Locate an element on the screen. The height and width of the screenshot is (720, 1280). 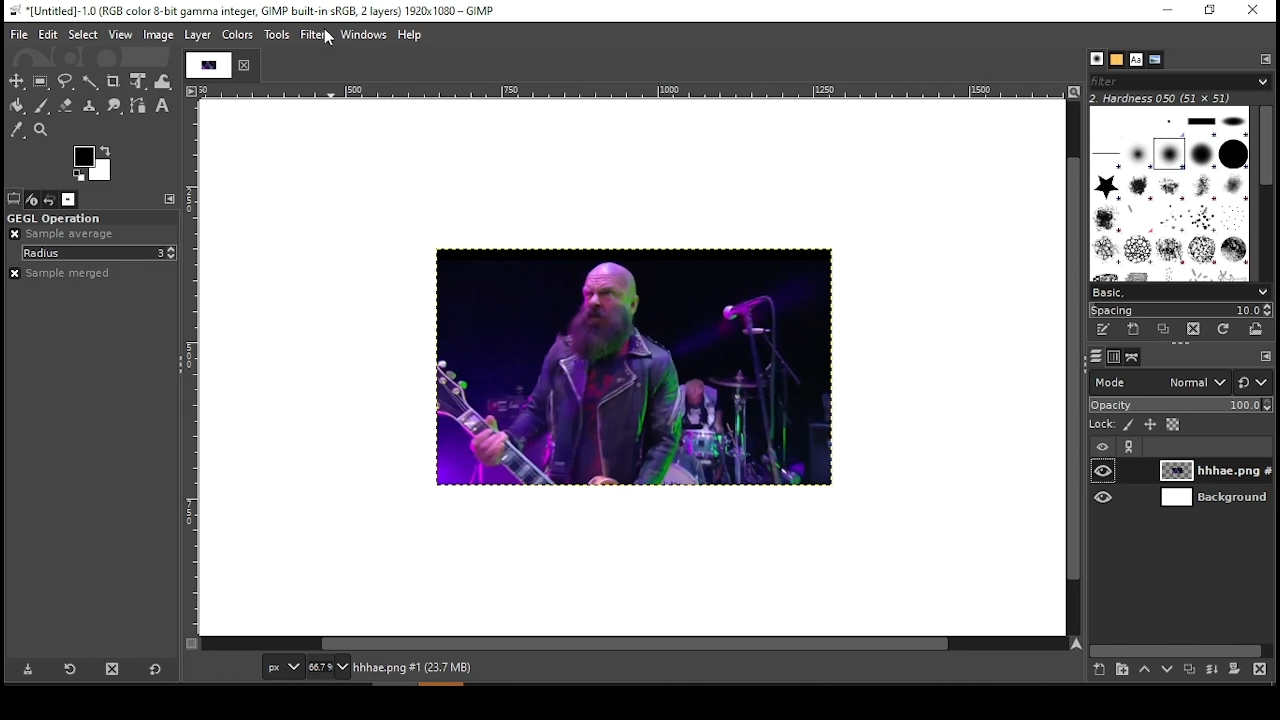
unified transform tool is located at coordinates (138, 81).